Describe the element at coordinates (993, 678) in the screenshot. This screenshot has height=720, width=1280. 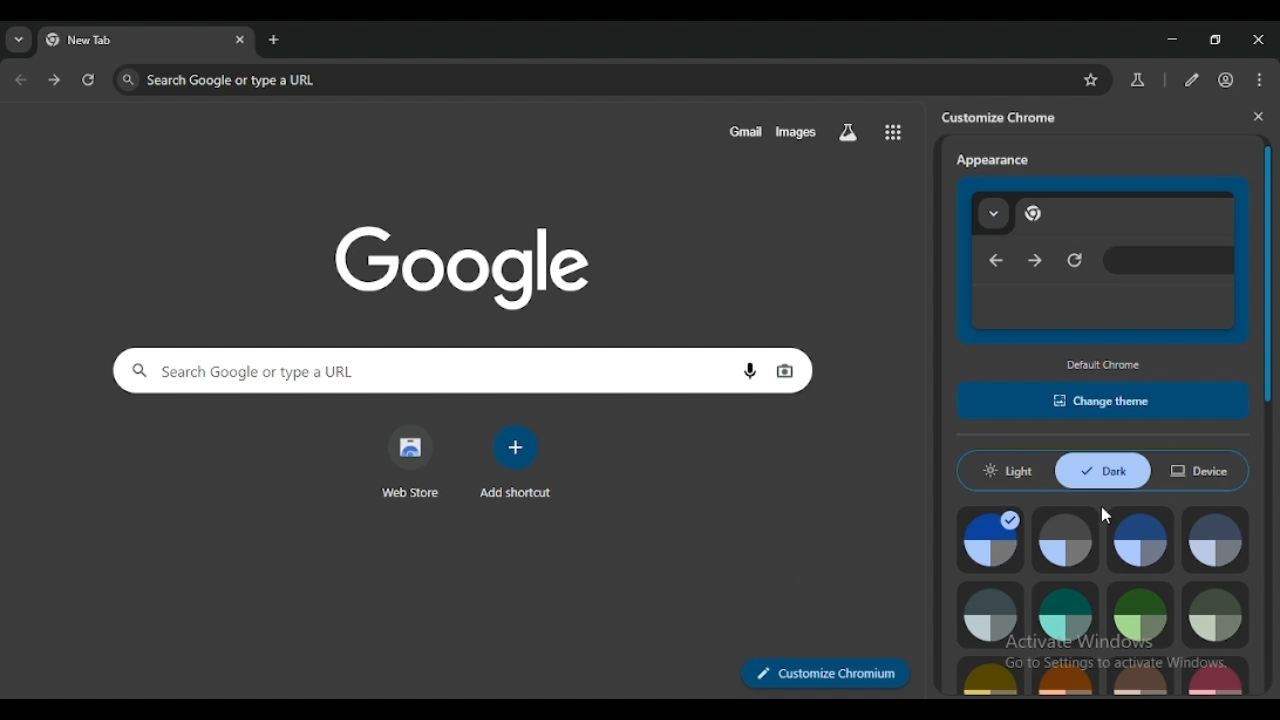
I see `citron` at that location.